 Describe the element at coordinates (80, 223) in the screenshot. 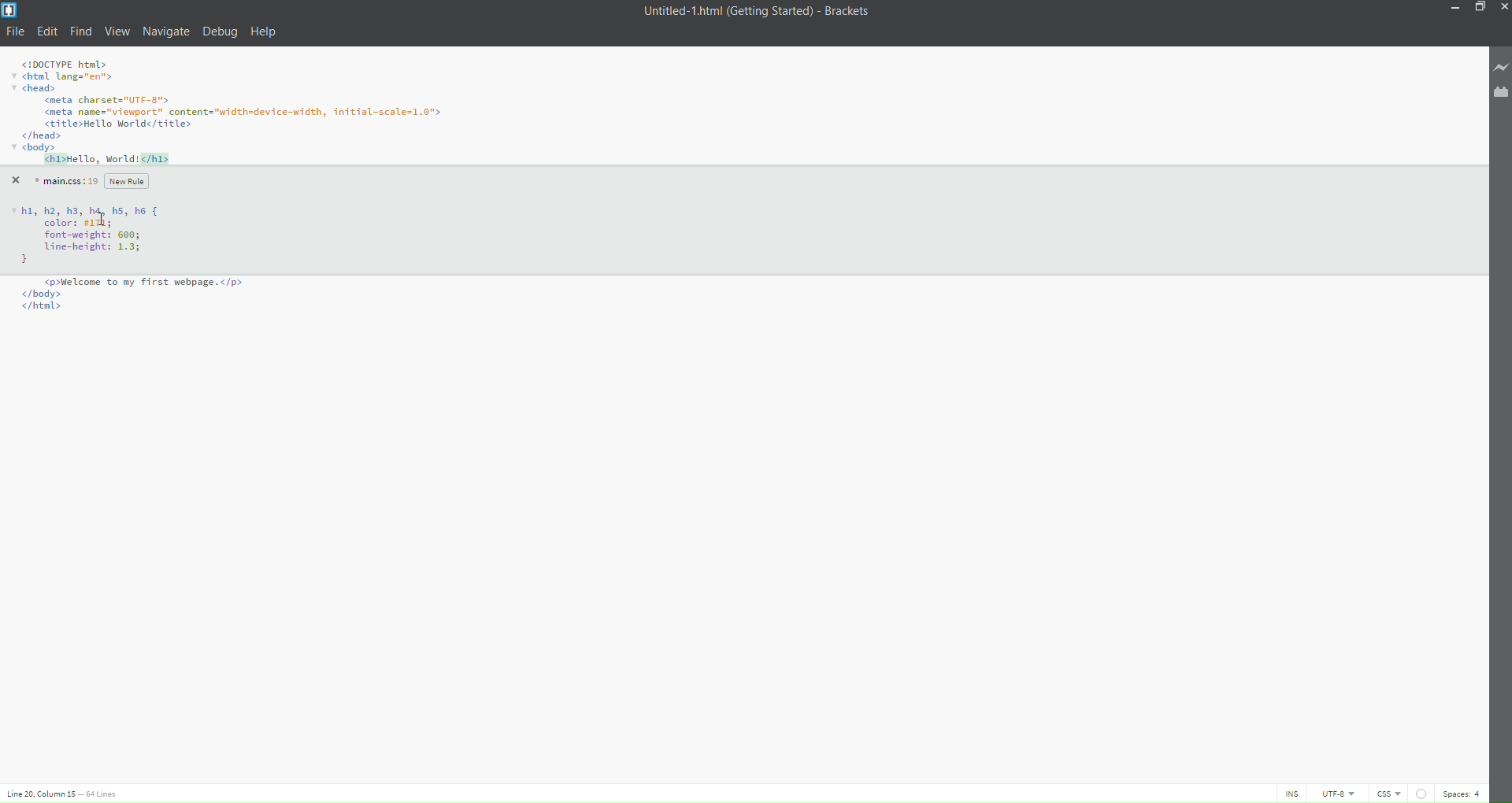

I see `edited CSS rule through Quick edit` at that location.